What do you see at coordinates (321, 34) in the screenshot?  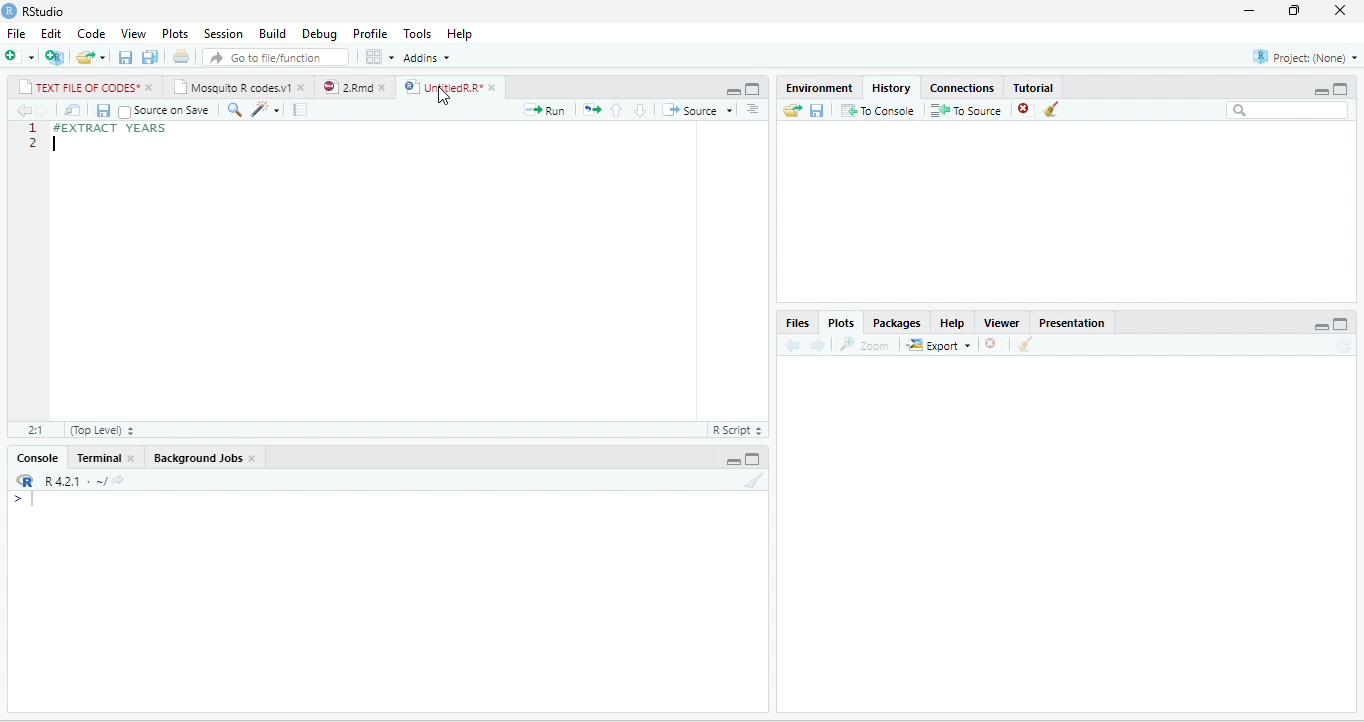 I see `Debug` at bounding box center [321, 34].